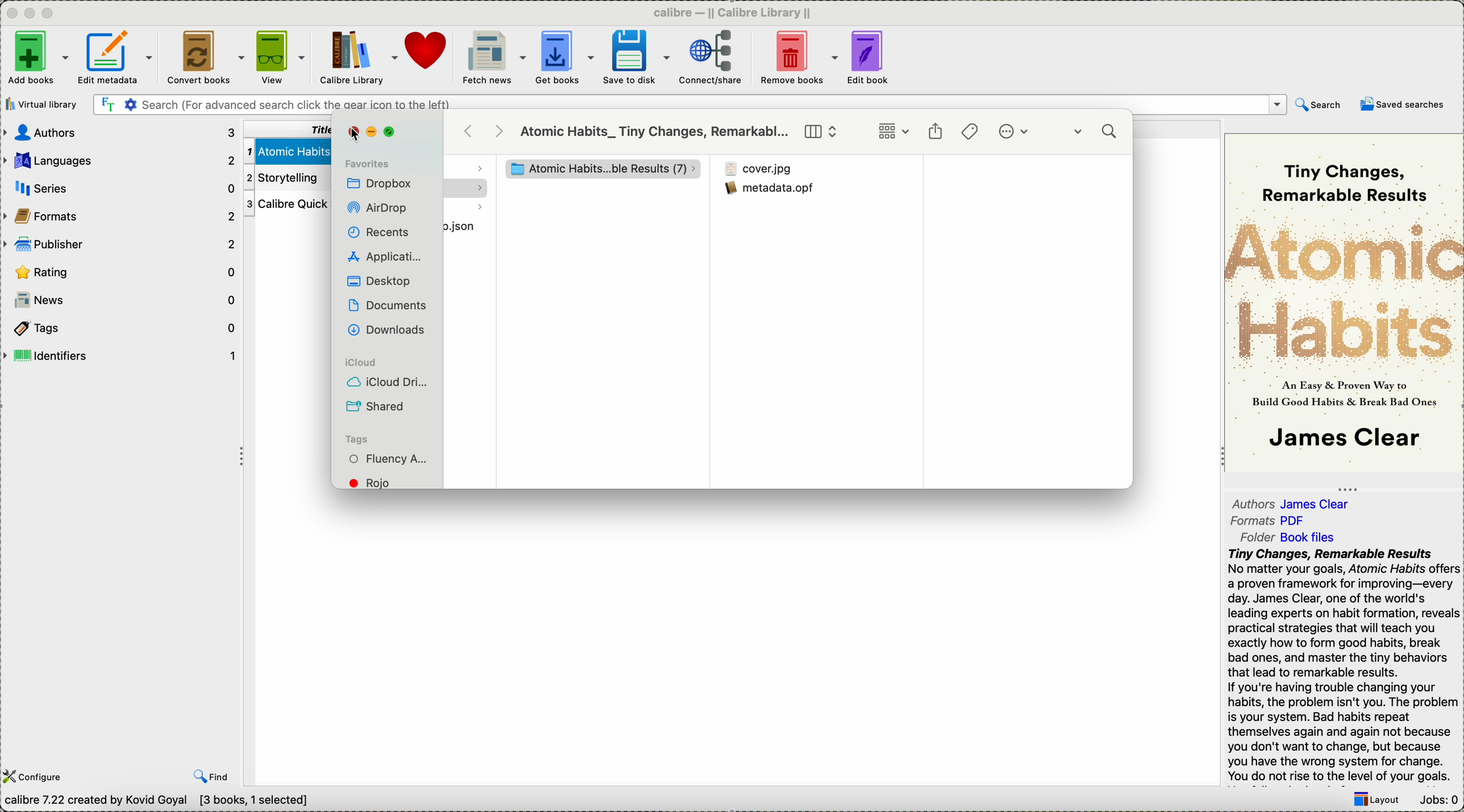 This screenshot has width=1464, height=812. I want to click on Applications, so click(383, 255).